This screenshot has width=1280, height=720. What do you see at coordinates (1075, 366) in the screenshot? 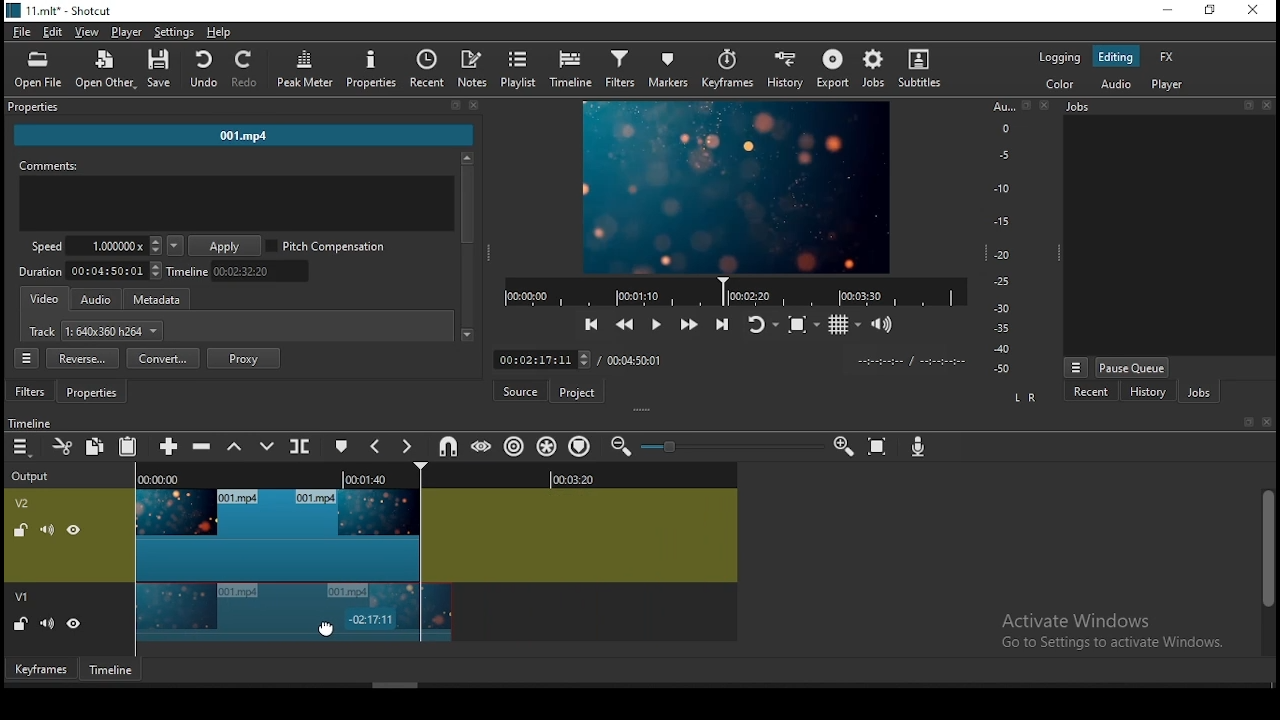
I see `MORE OPTIONS` at bounding box center [1075, 366].